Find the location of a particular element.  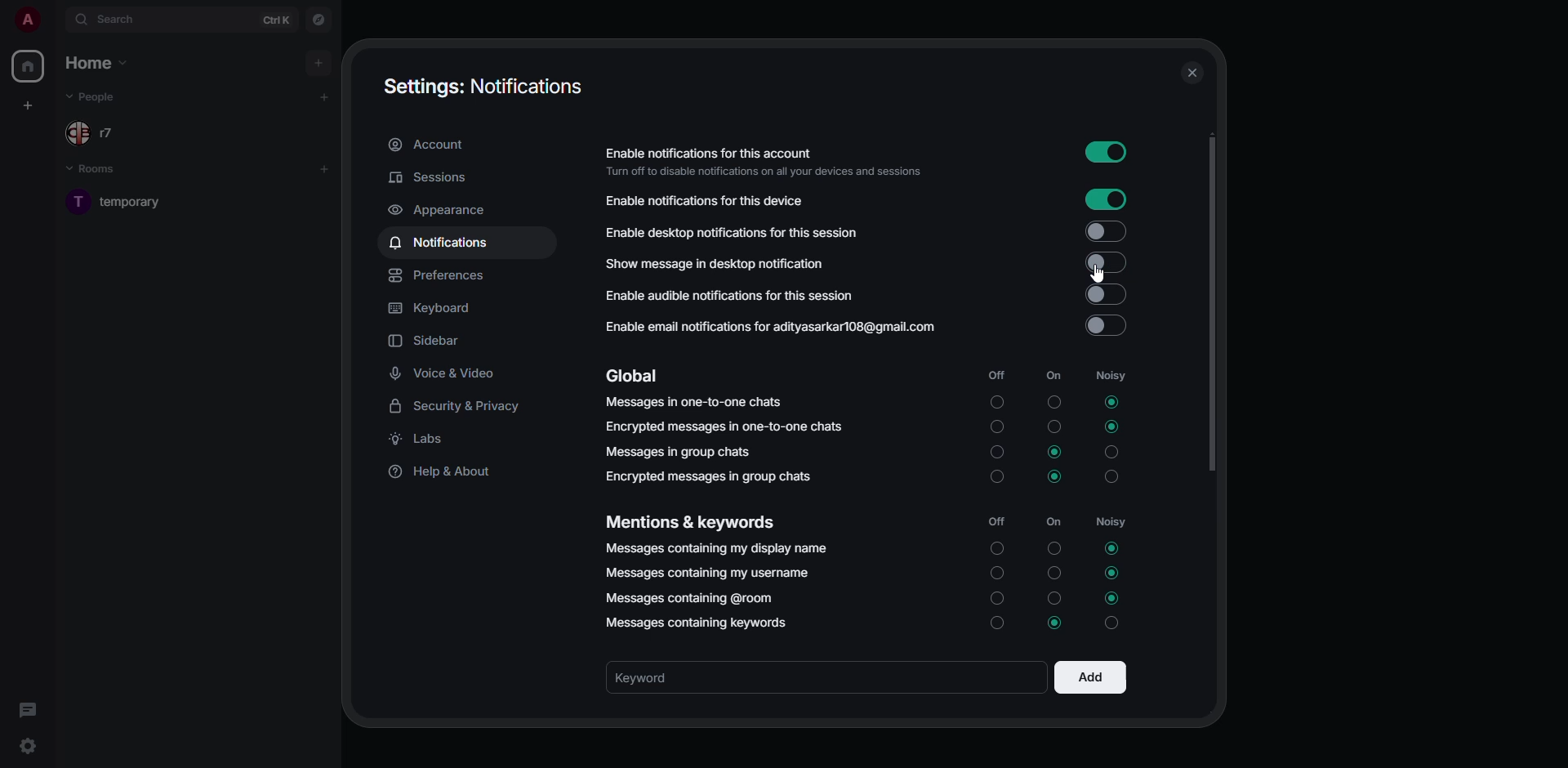

people is located at coordinates (99, 100).